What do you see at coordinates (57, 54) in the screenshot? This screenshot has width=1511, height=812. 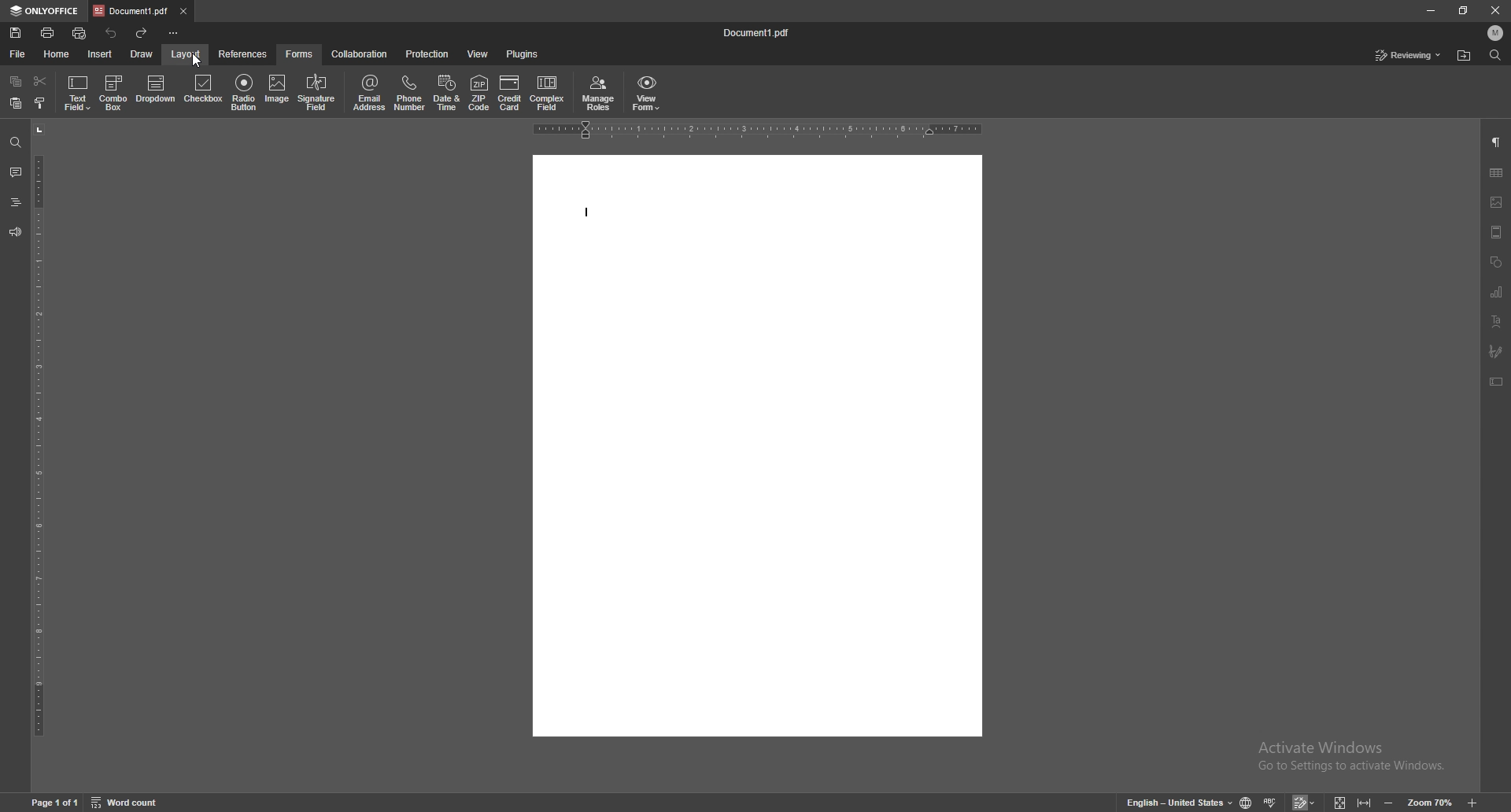 I see `home` at bounding box center [57, 54].